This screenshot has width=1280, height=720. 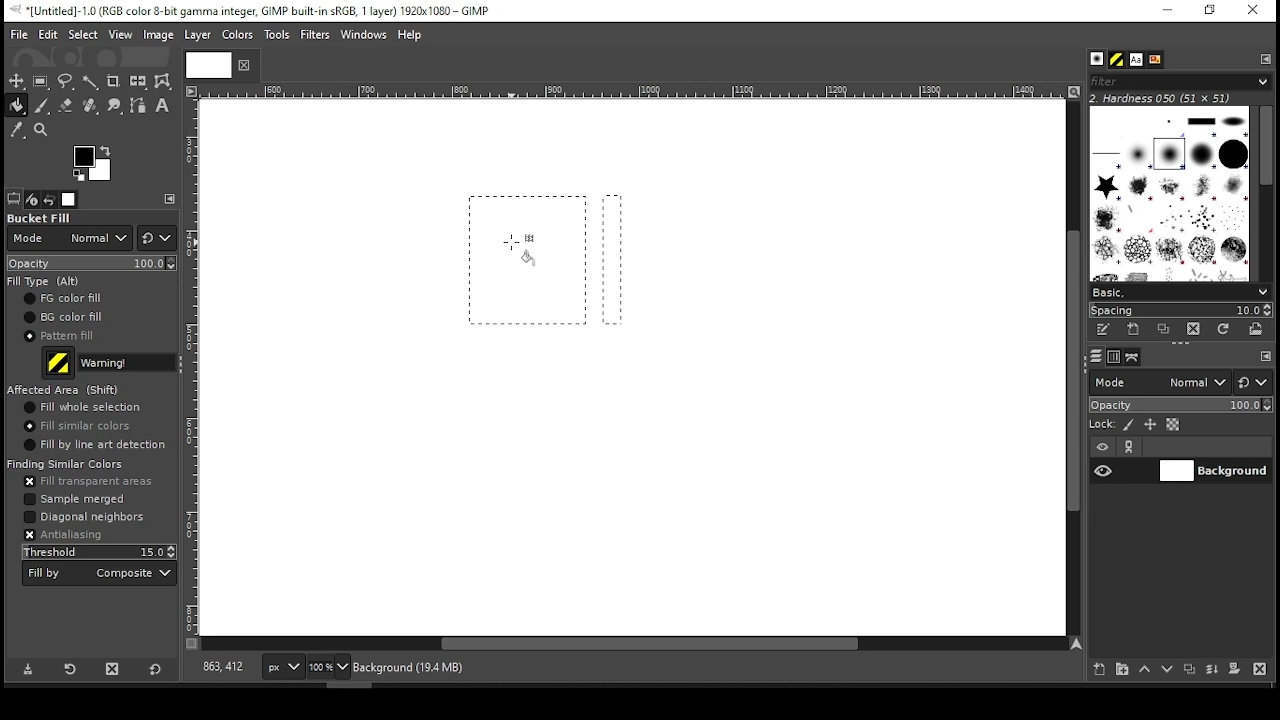 What do you see at coordinates (413, 668) in the screenshot?
I see `background (28.0mb)` at bounding box center [413, 668].